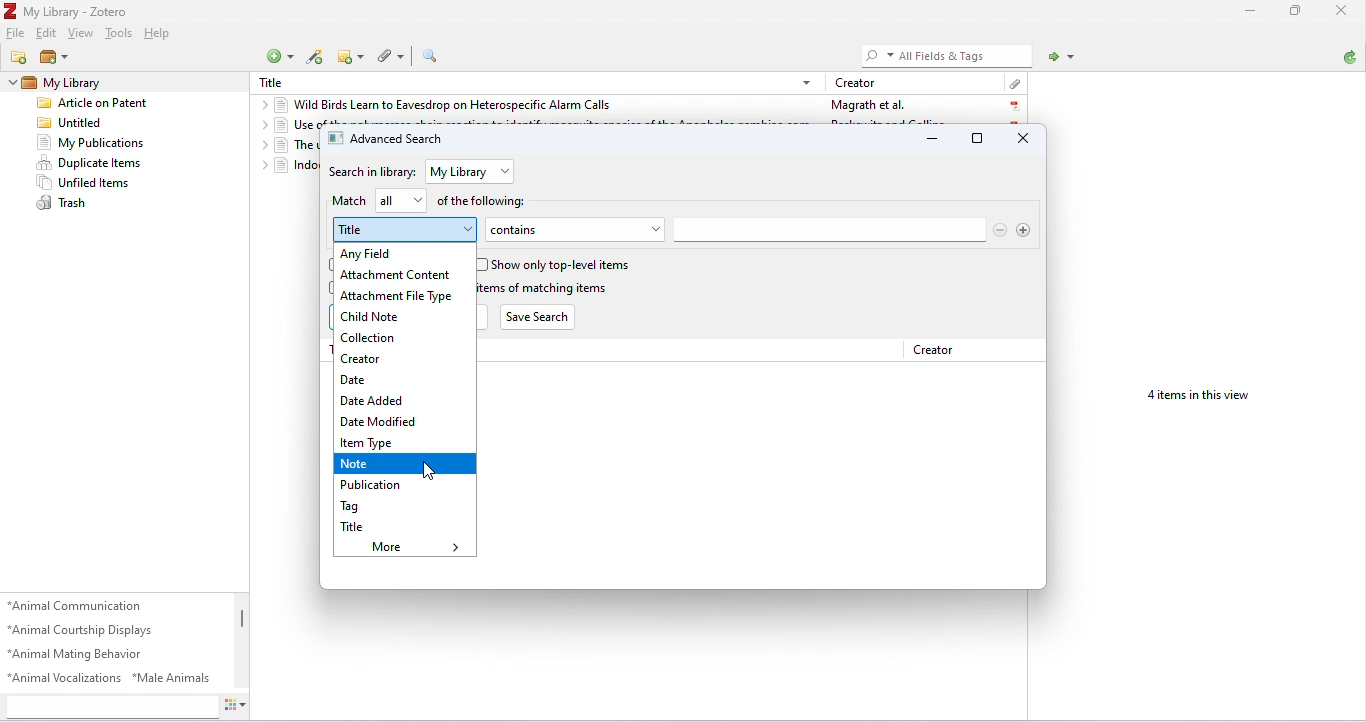  I want to click on drop-down, so click(504, 172).